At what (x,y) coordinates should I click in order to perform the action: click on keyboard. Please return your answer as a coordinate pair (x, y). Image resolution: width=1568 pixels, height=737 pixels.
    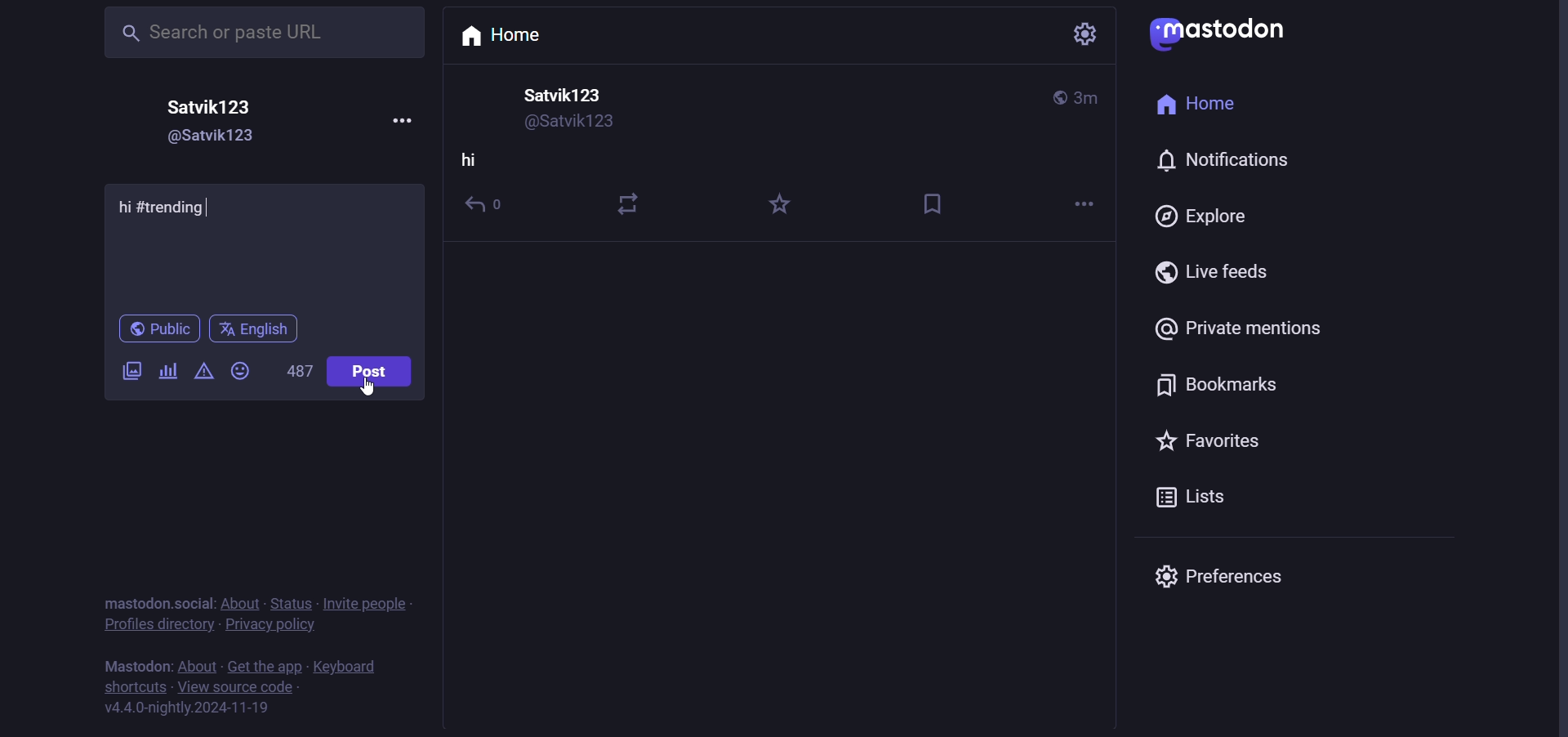
    Looking at the image, I should click on (347, 668).